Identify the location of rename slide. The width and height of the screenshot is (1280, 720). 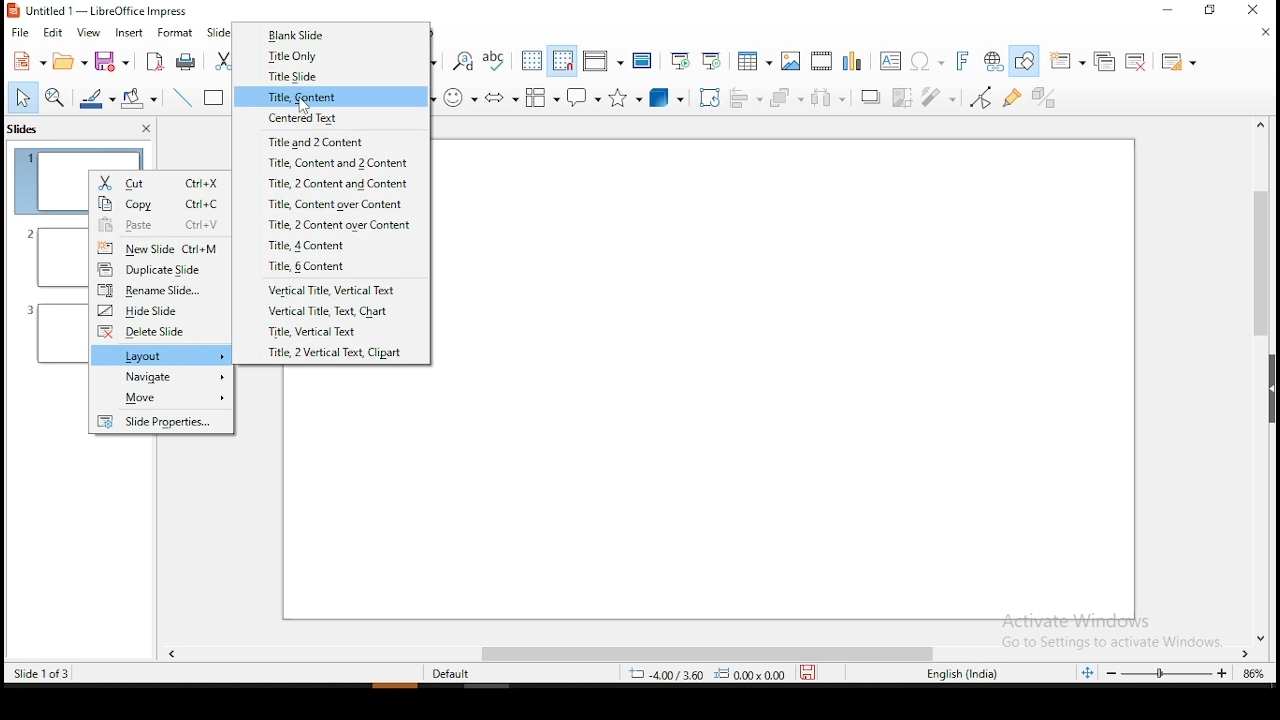
(161, 289).